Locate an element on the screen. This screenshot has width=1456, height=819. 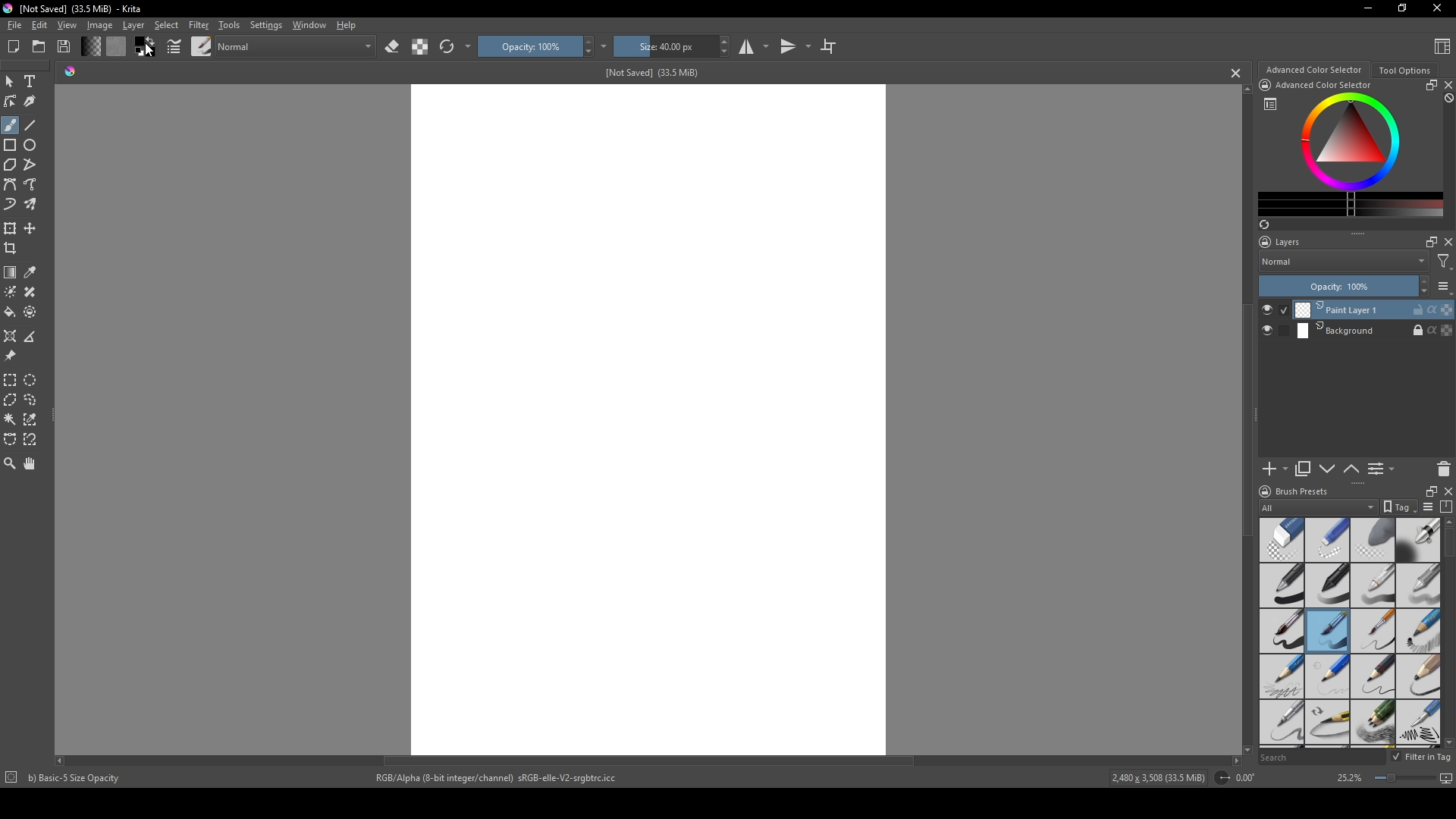
Opacity: 100% is located at coordinates (1335, 287).